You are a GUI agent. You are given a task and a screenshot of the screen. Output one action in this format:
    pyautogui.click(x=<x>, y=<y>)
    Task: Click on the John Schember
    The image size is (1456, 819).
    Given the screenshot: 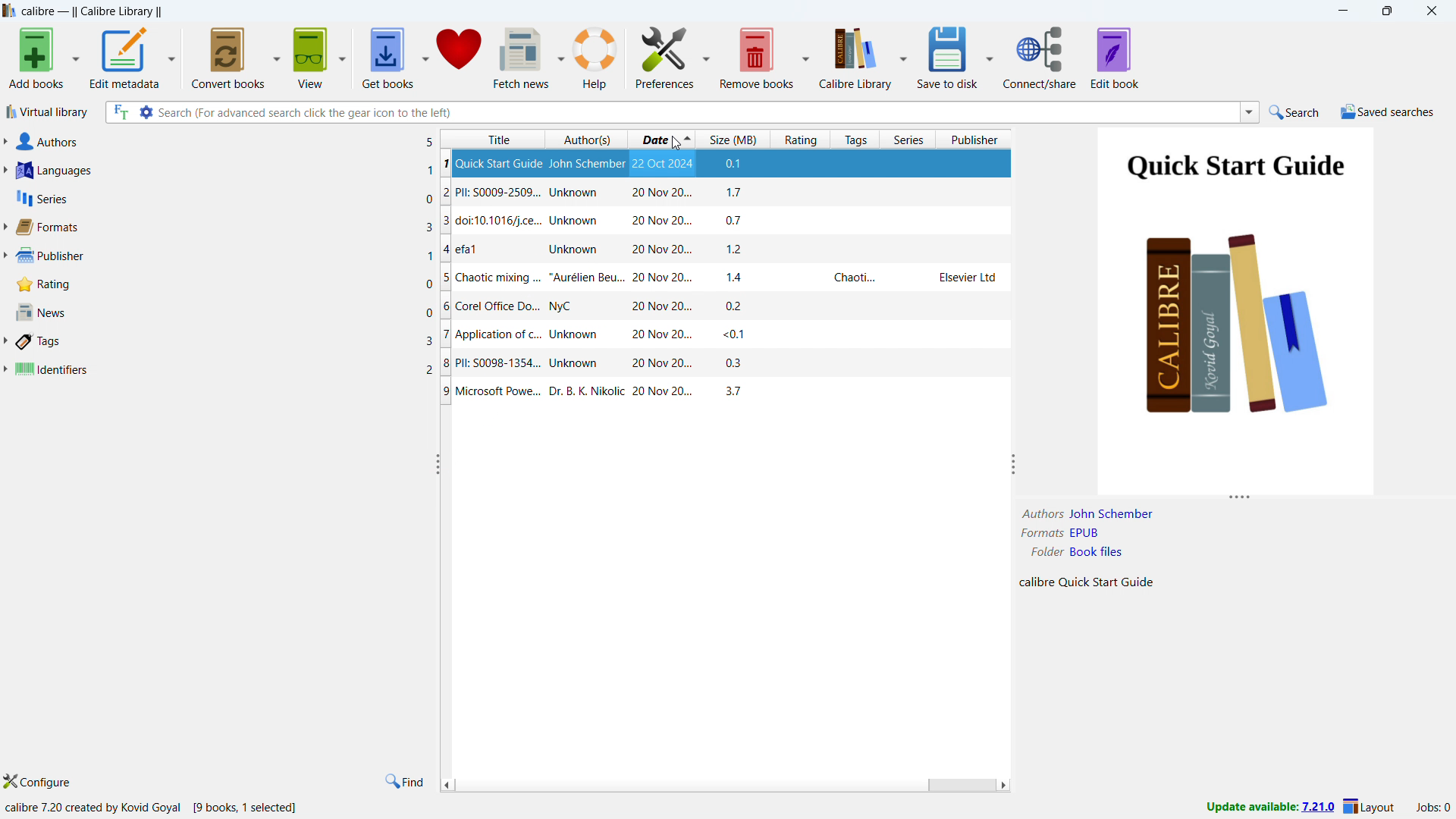 What is the action you would take?
    pyautogui.click(x=587, y=306)
    